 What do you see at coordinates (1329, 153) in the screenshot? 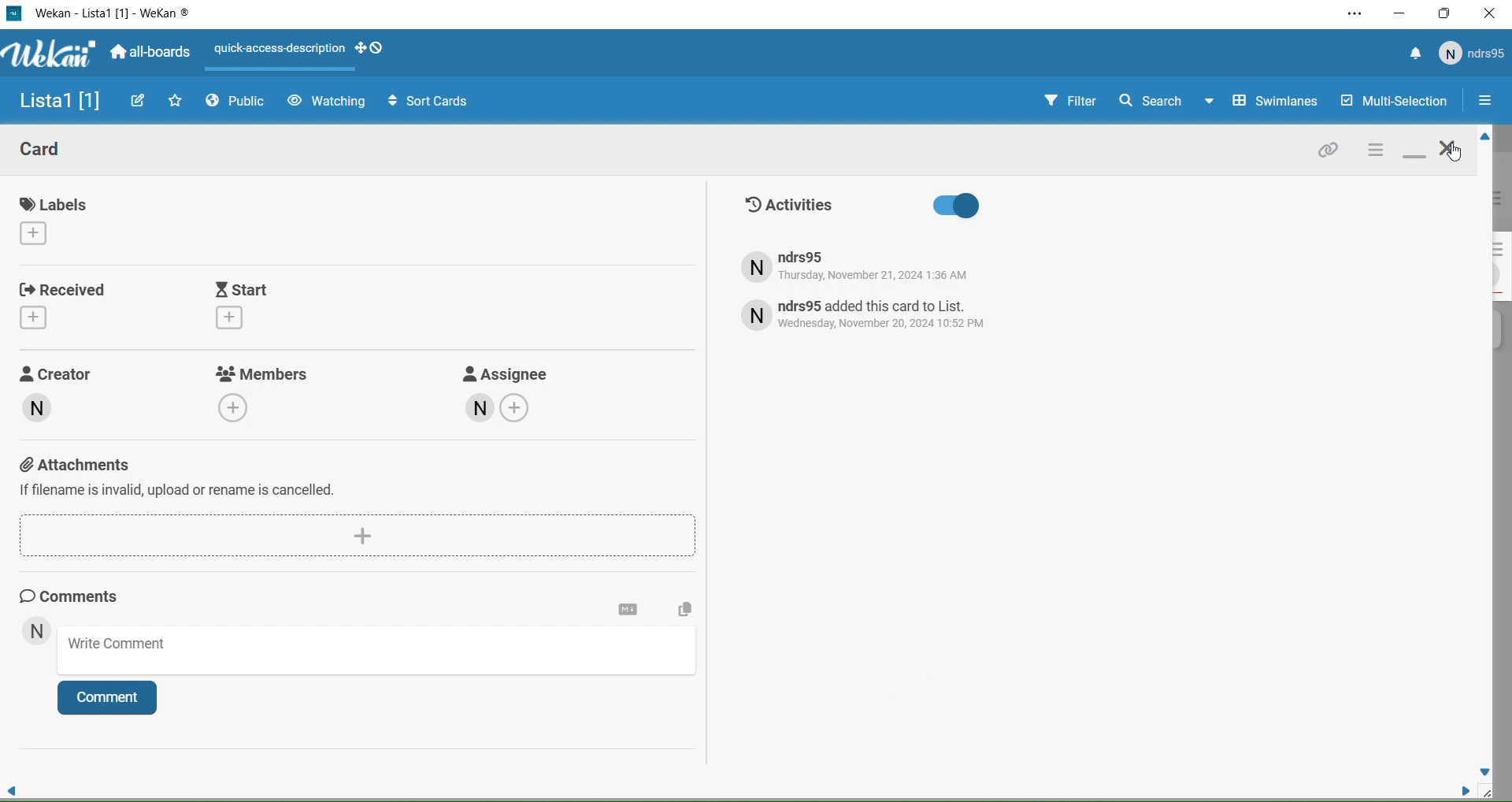
I see `attached` at bounding box center [1329, 153].